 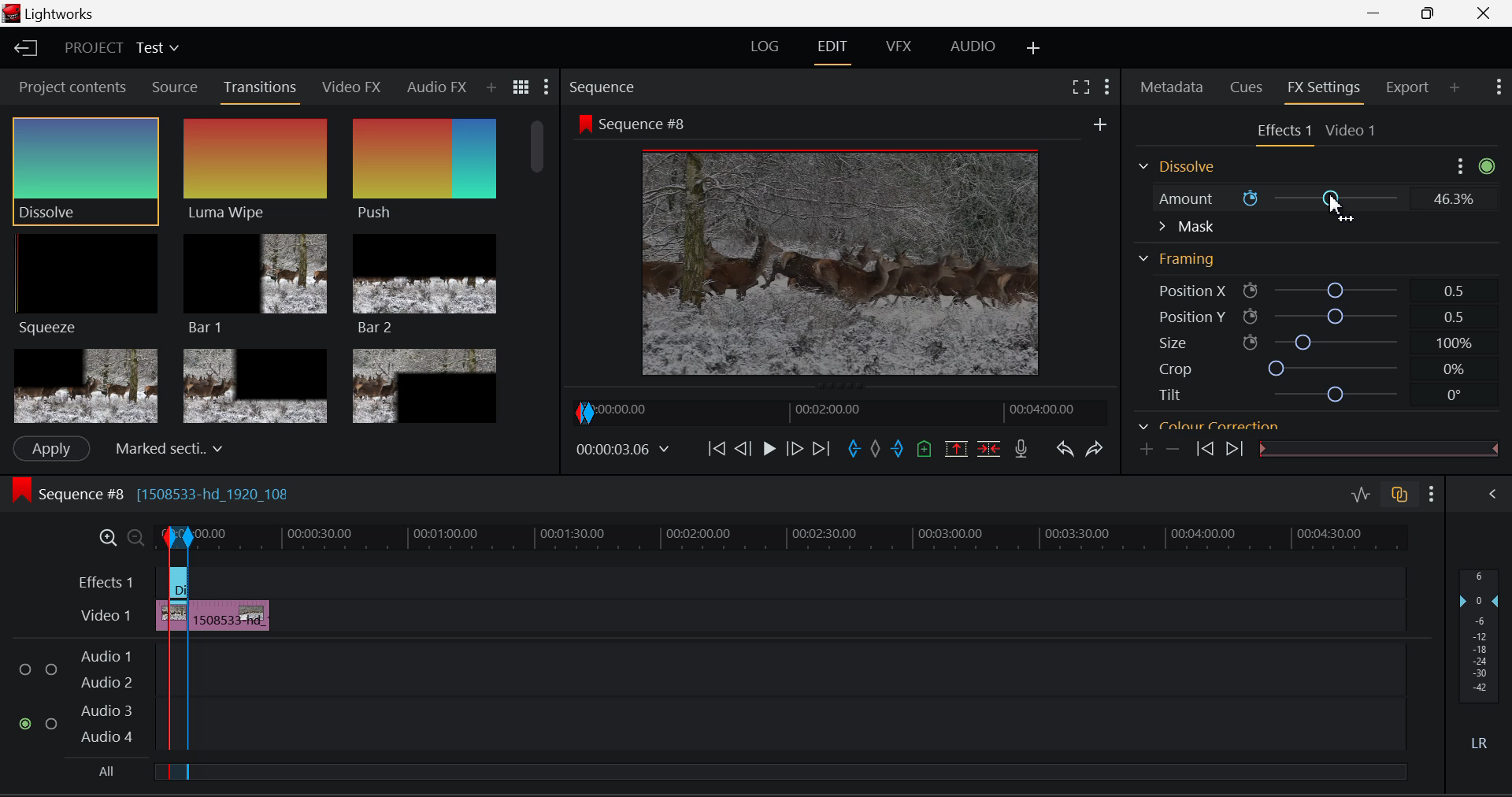 What do you see at coordinates (1309, 316) in the screenshot?
I see `Position Y` at bounding box center [1309, 316].